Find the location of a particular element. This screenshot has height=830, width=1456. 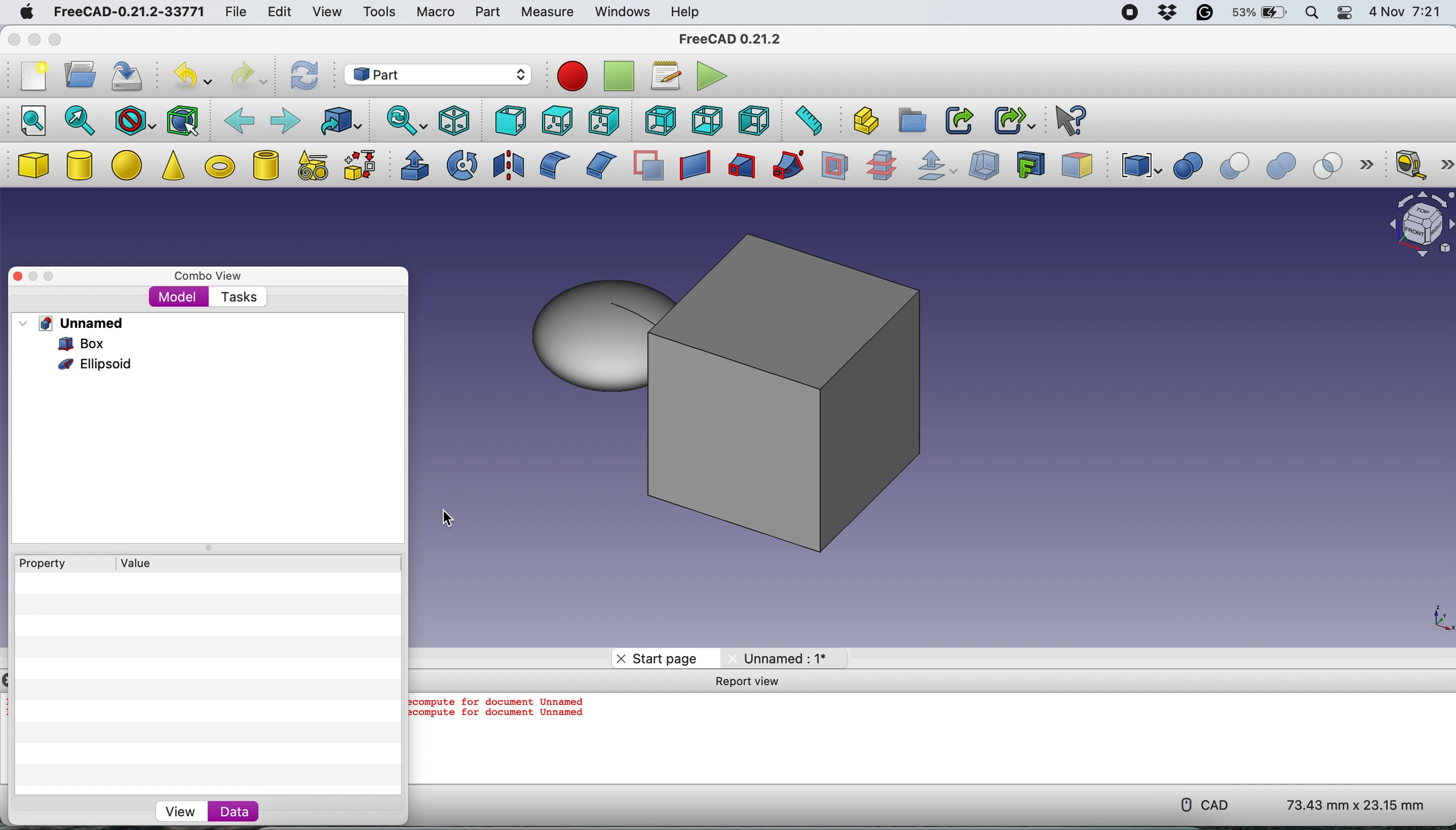

measure distance is located at coordinates (805, 120).